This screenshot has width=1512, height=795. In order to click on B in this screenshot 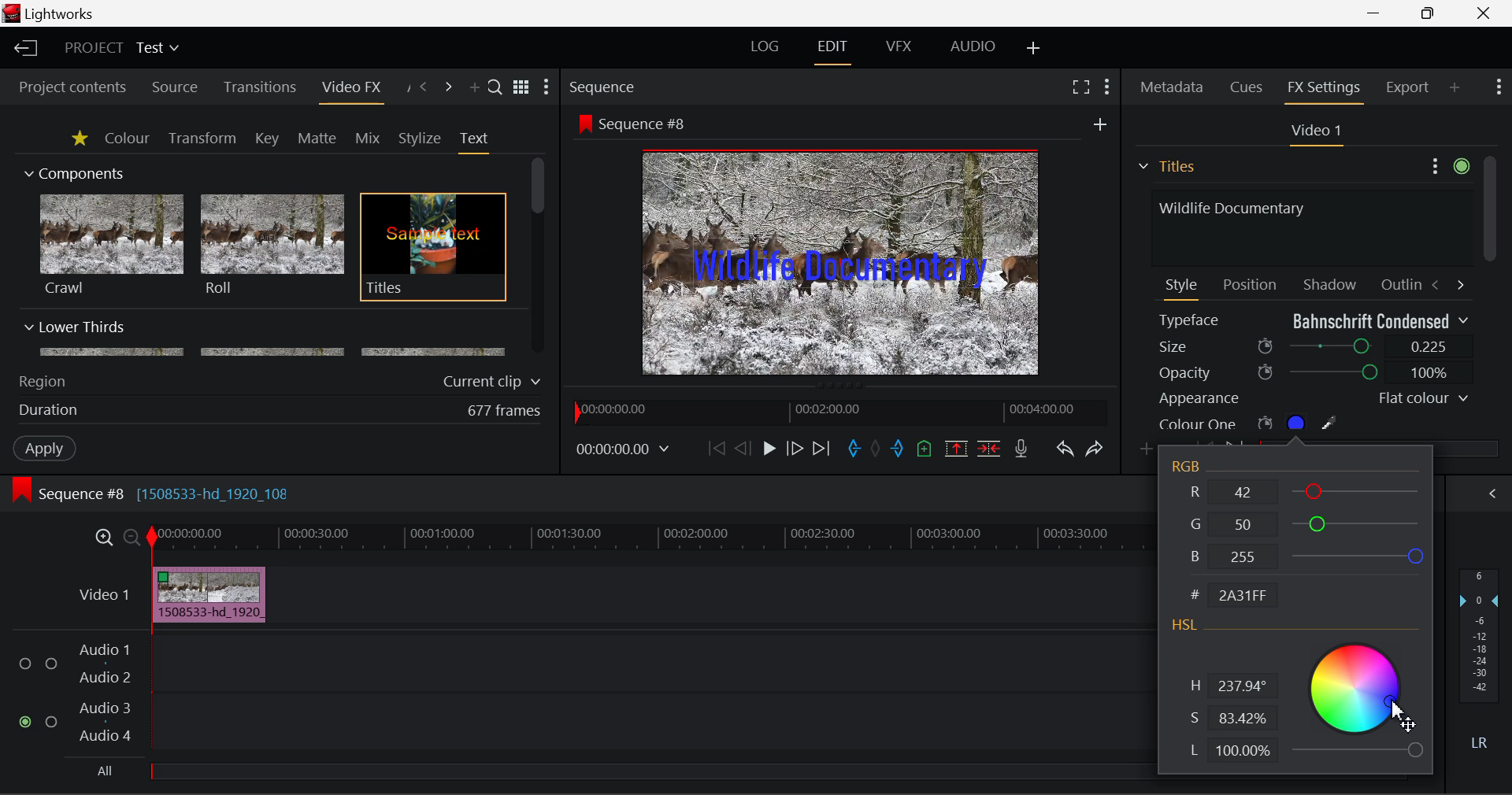, I will do `click(1304, 556)`.